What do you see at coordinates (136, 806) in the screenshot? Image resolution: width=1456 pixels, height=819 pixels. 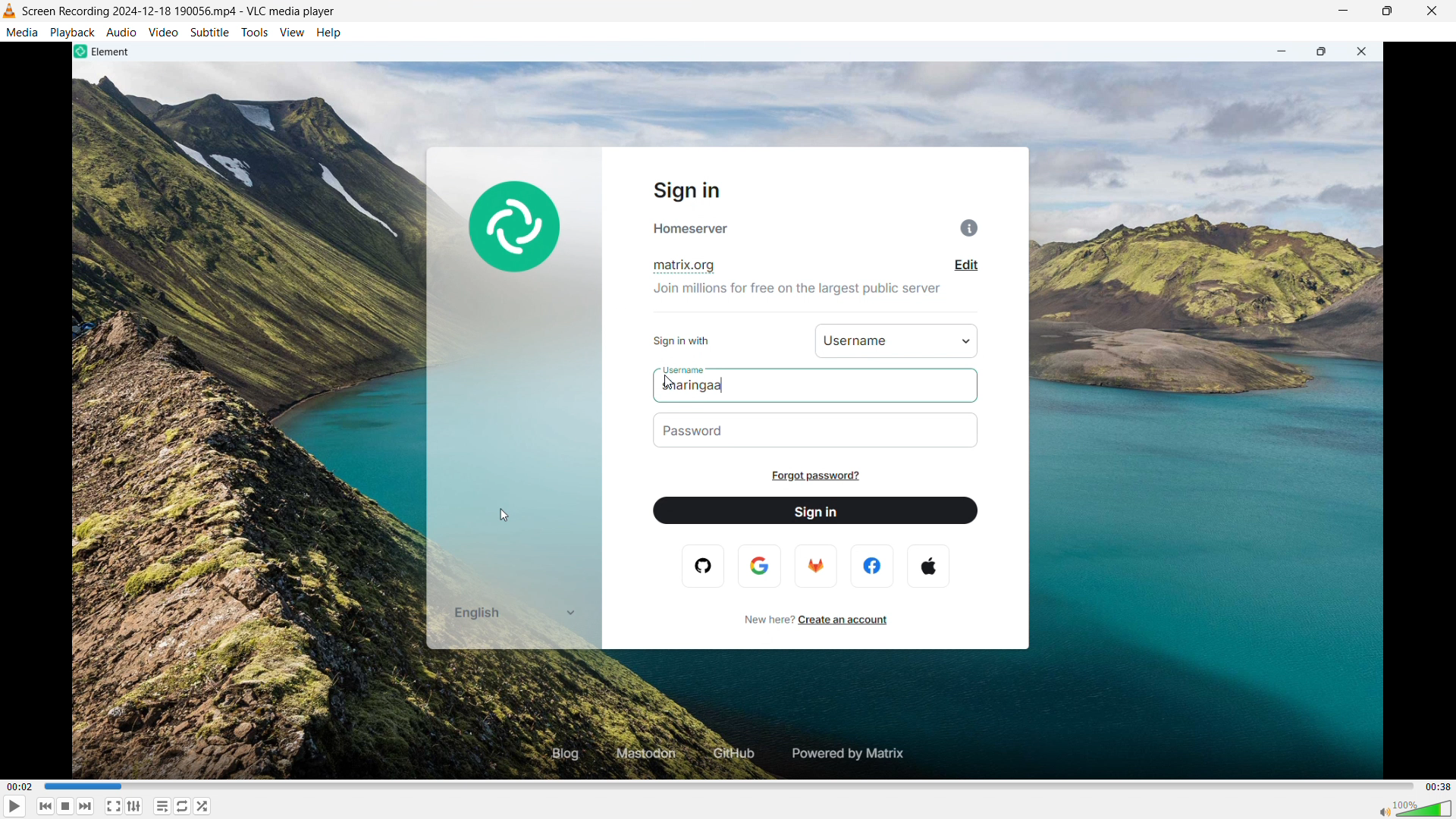 I see `show advanced settings` at bounding box center [136, 806].